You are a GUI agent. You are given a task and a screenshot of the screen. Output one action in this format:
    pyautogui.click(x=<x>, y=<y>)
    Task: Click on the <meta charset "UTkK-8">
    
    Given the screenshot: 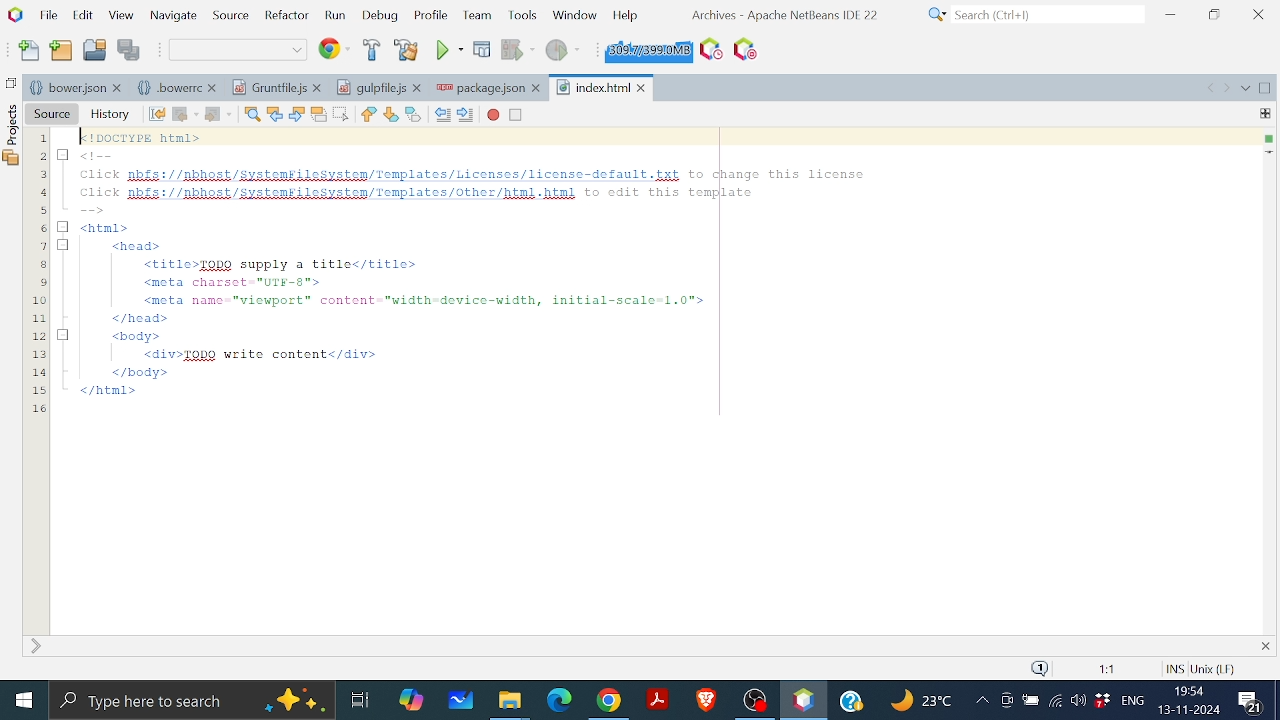 What is the action you would take?
    pyautogui.click(x=231, y=282)
    